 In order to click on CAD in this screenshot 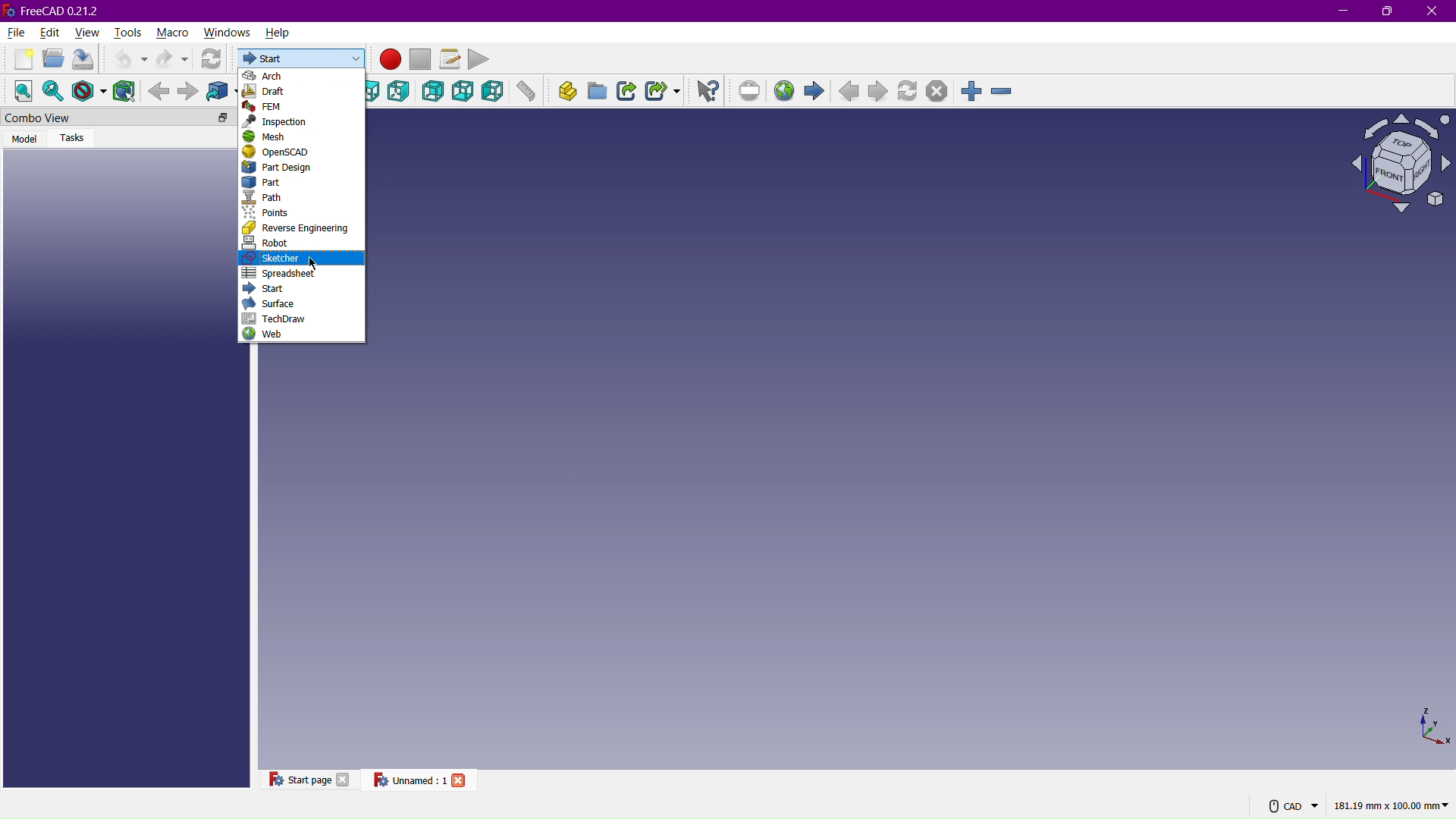, I will do `click(1296, 806)`.